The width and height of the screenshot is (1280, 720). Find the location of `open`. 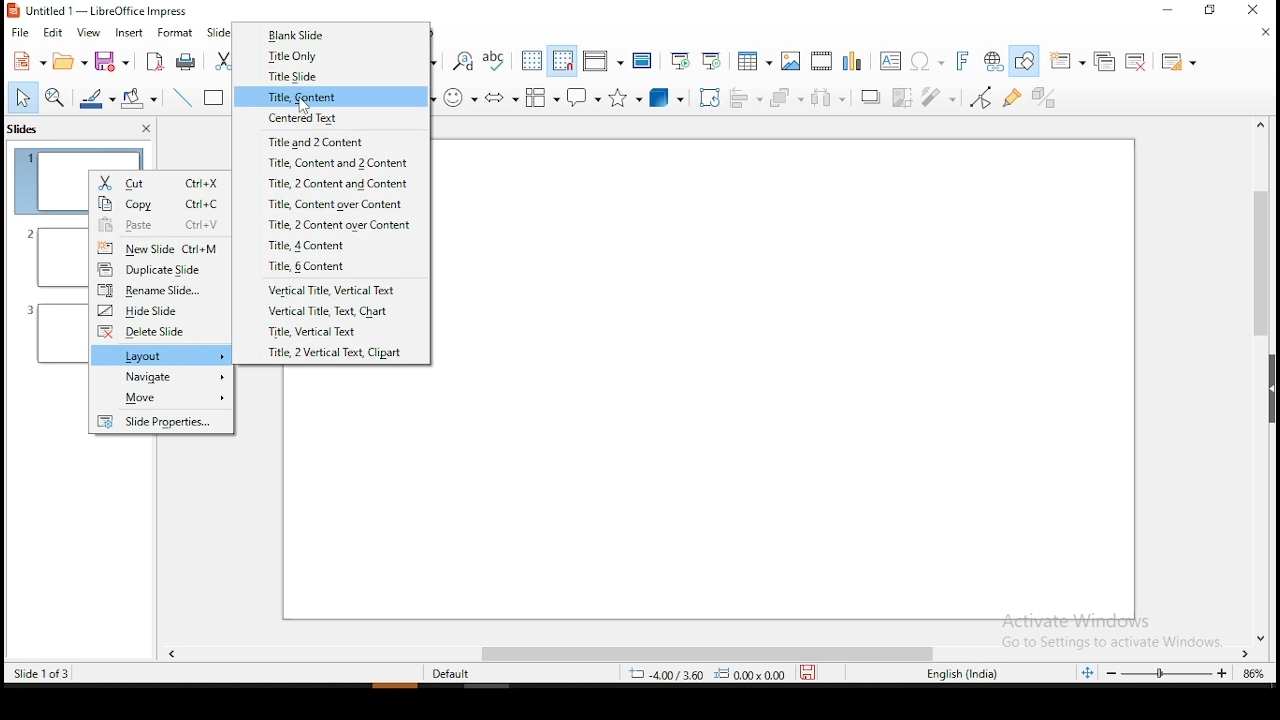

open is located at coordinates (70, 59).